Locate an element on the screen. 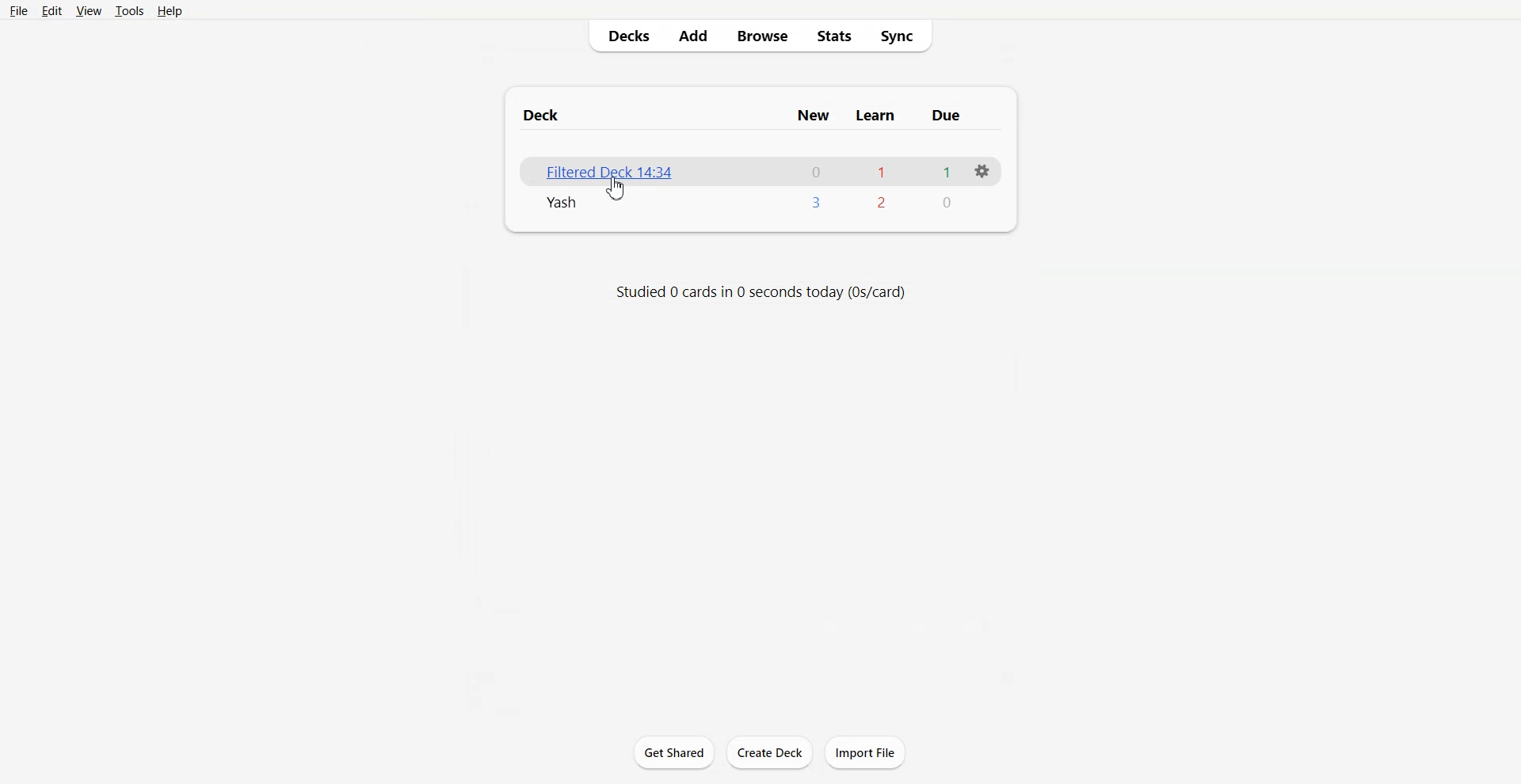 Image resolution: width=1521 pixels, height=784 pixels. 3 is located at coordinates (817, 202).